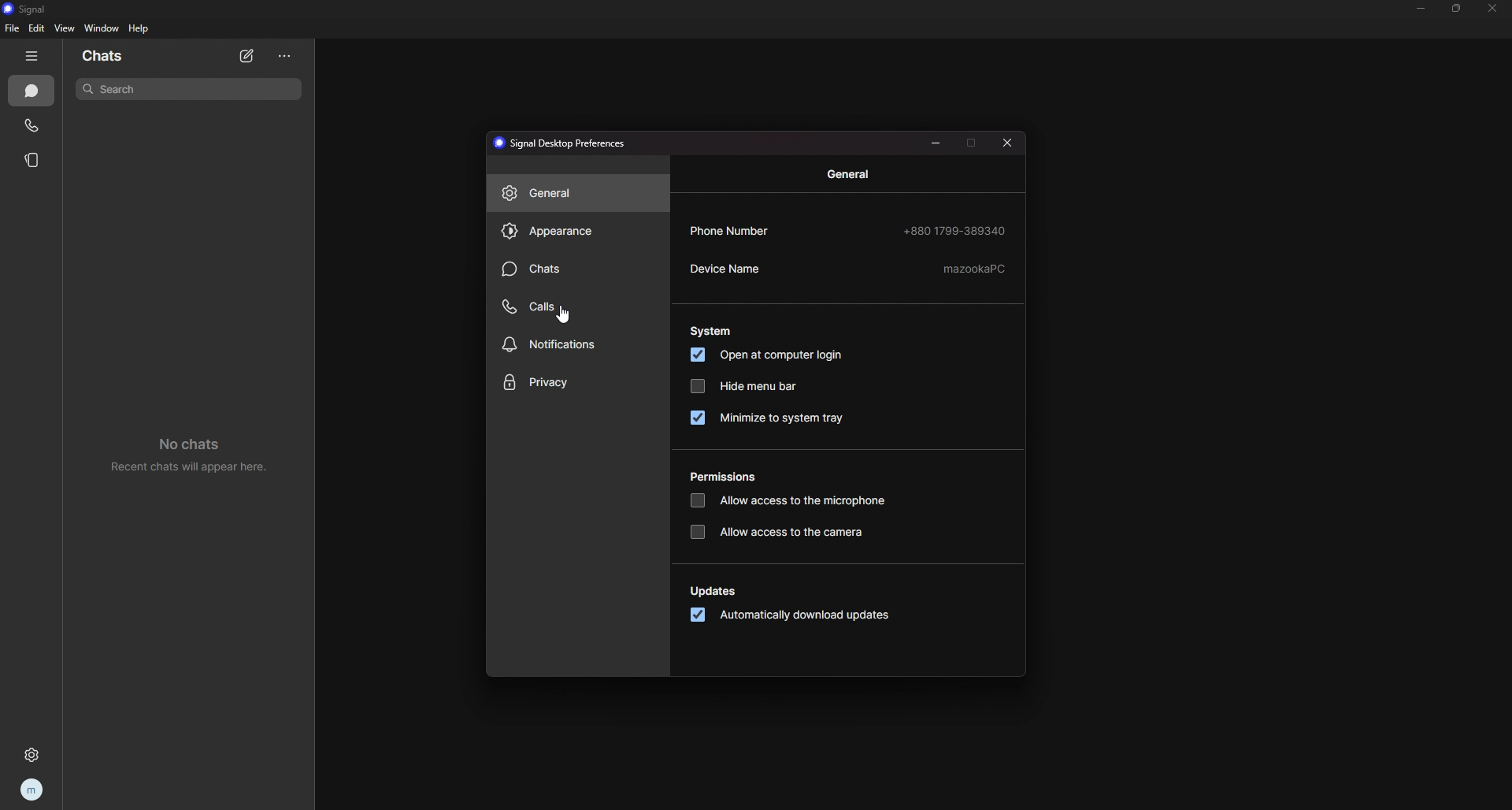  I want to click on view, so click(65, 28).